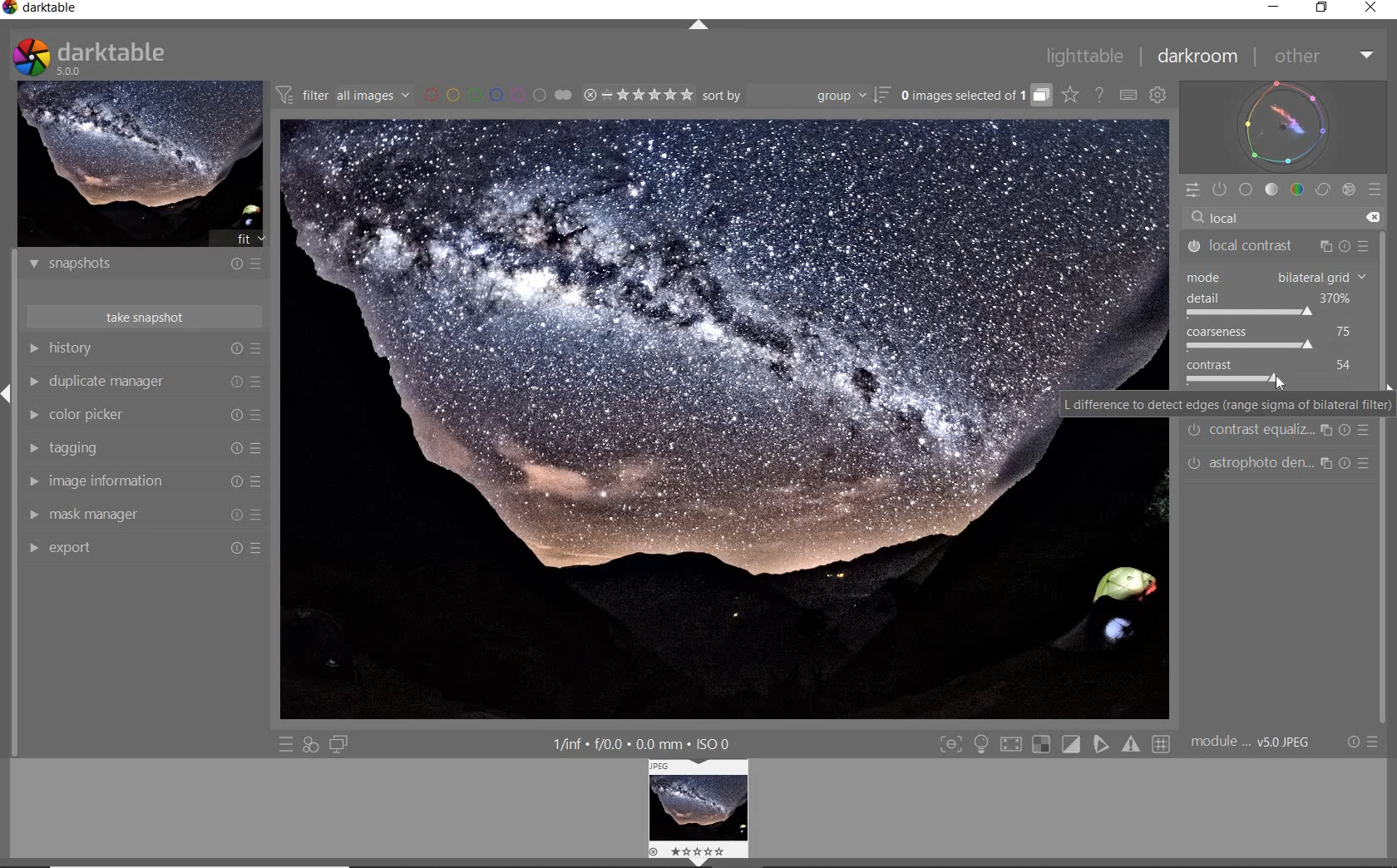 Image resolution: width=1397 pixels, height=868 pixels. What do you see at coordinates (135, 57) in the screenshot?
I see `darktable 5.0.0` at bounding box center [135, 57].